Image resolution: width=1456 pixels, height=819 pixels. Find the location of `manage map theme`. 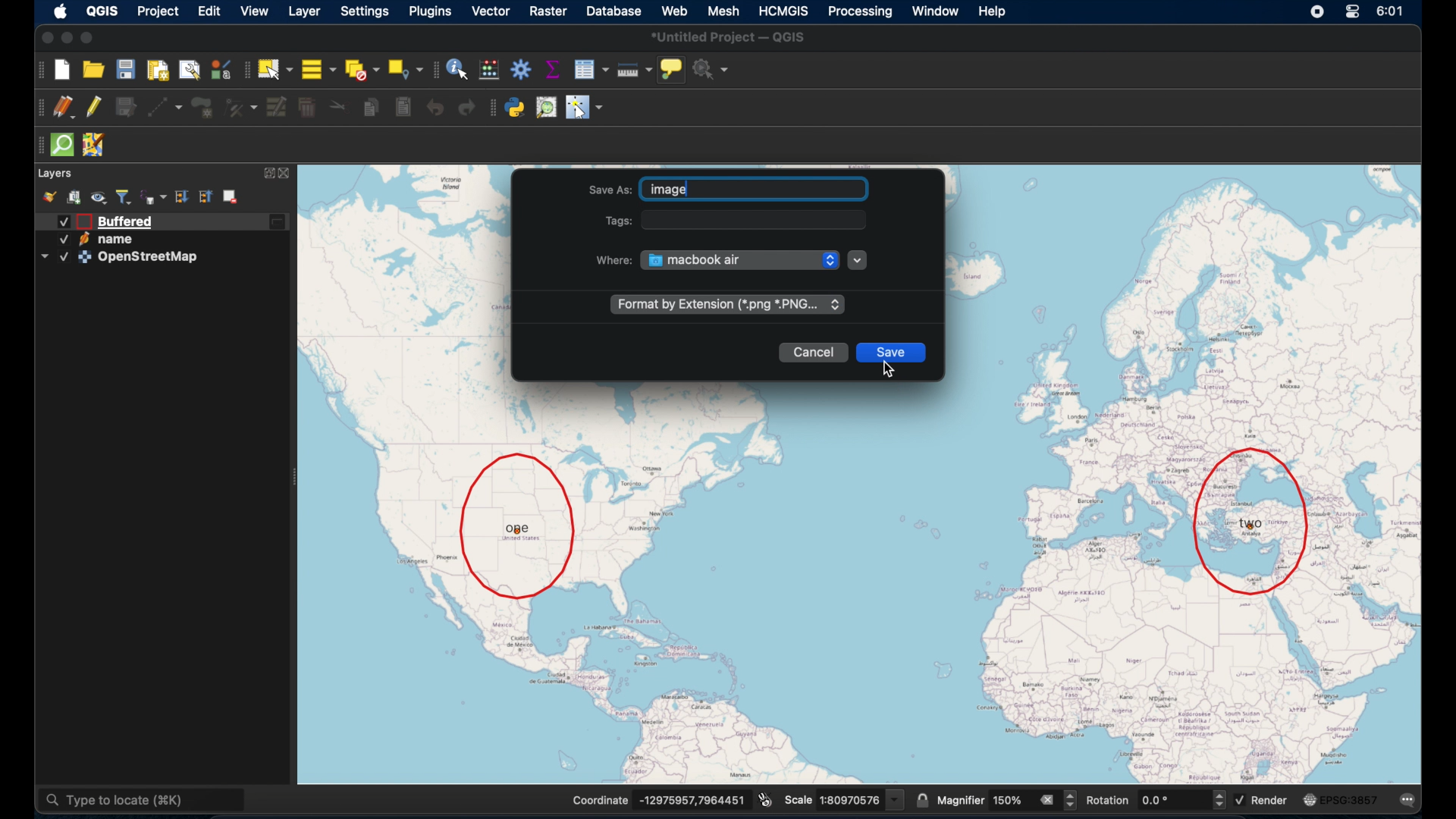

manage map theme is located at coordinates (99, 198).